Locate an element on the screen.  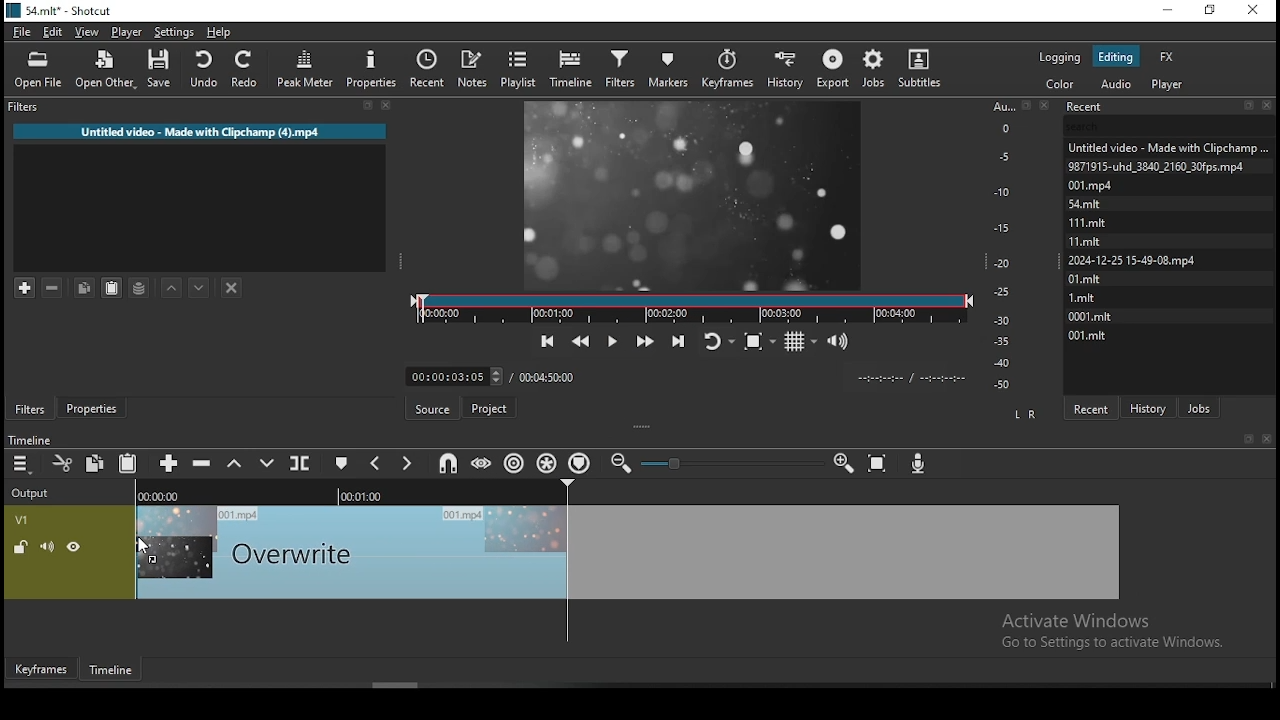
scrub while dragging is located at coordinates (483, 464).